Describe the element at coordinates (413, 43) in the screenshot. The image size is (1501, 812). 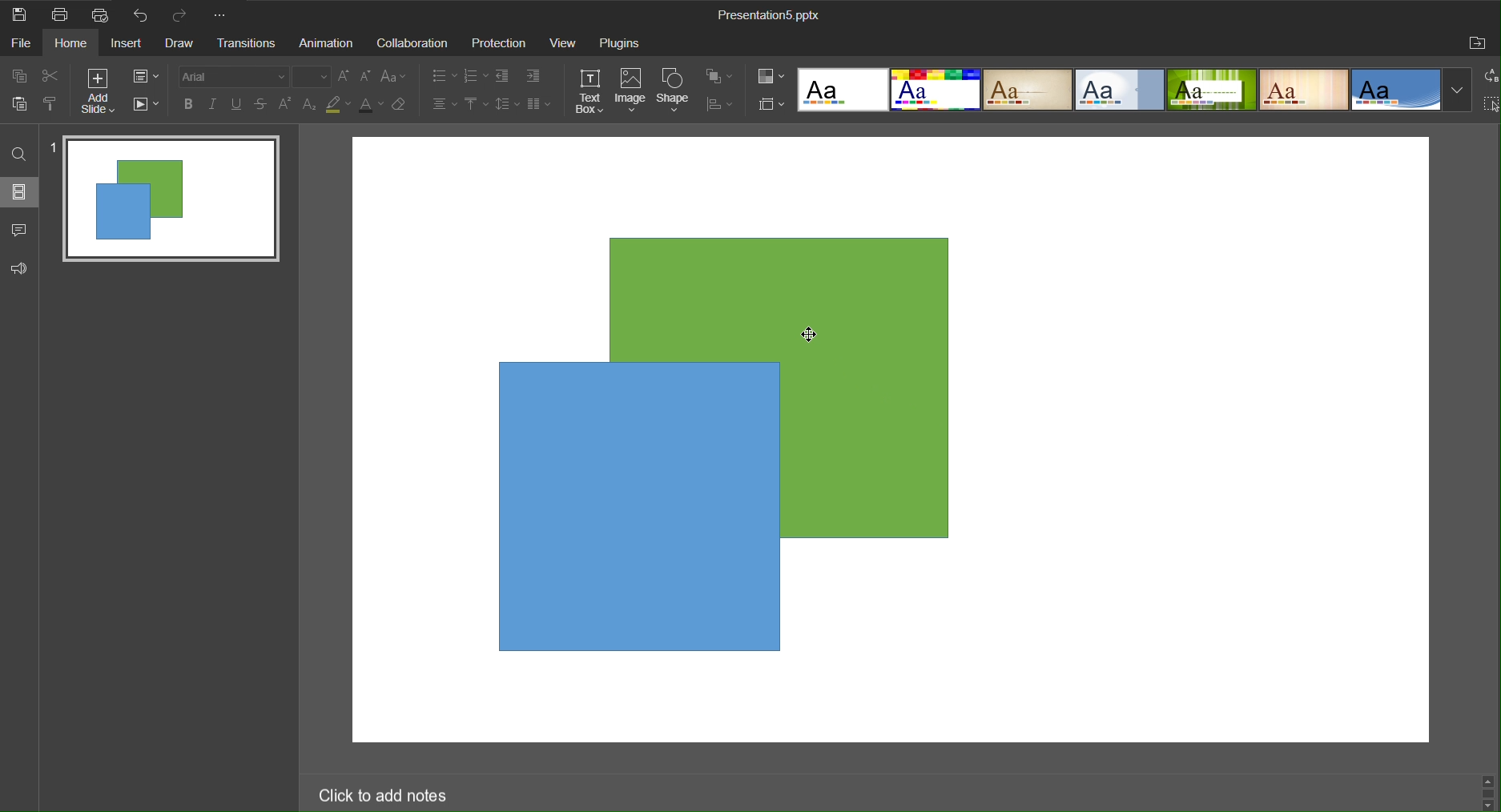
I see `Collaboration` at that location.